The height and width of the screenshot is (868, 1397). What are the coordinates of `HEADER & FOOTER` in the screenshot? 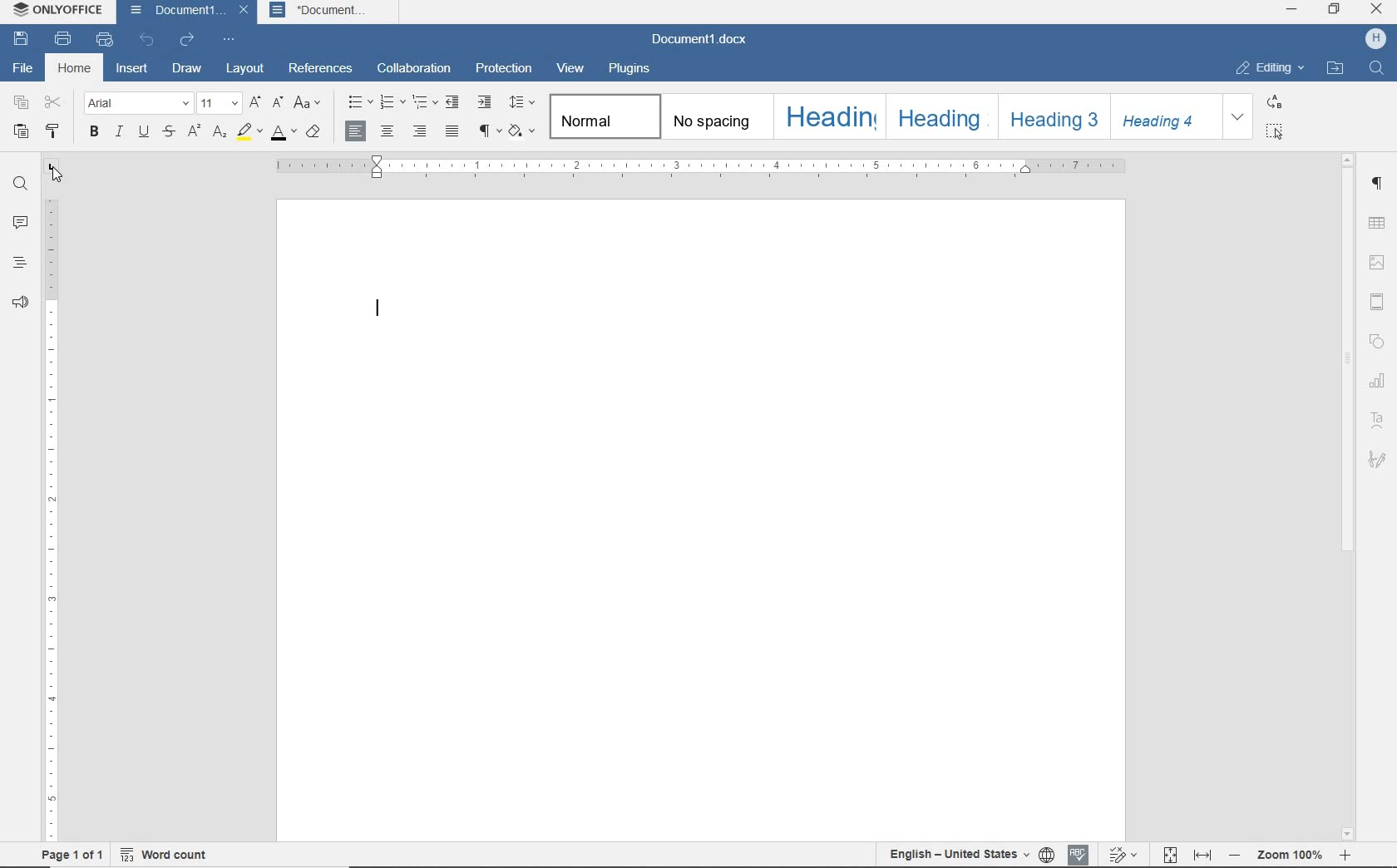 It's located at (1376, 301).